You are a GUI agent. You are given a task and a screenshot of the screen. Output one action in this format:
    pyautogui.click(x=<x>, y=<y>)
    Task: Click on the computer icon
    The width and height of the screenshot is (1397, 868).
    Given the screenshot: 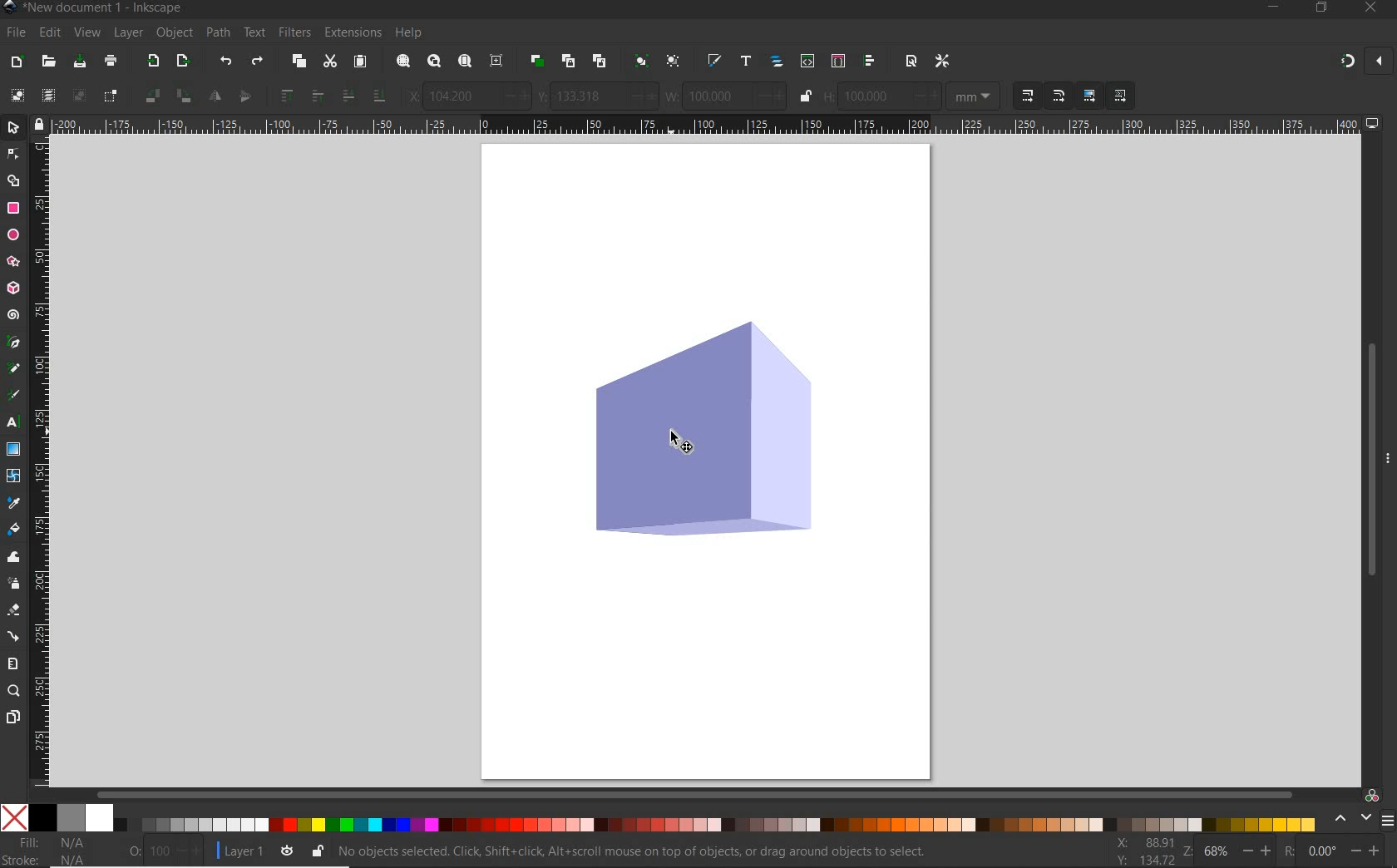 What is the action you would take?
    pyautogui.click(x=1376, y=122)
    